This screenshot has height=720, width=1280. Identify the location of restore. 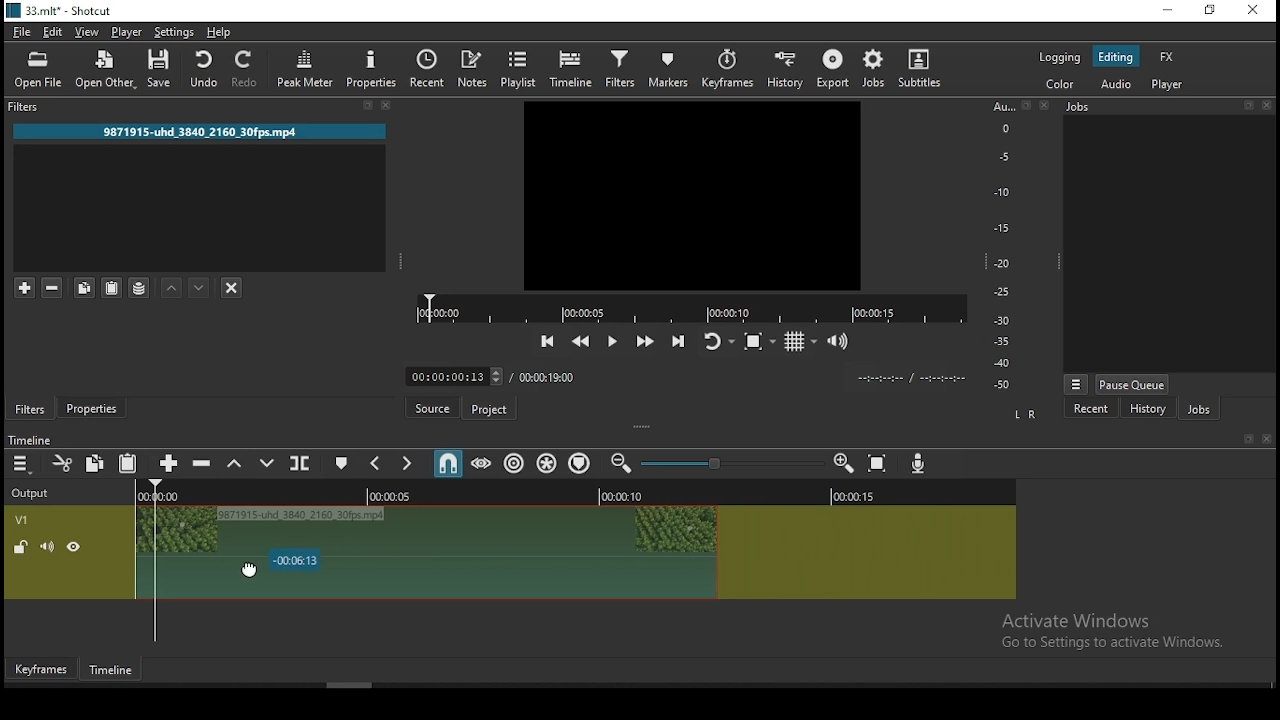
(1211, 11).